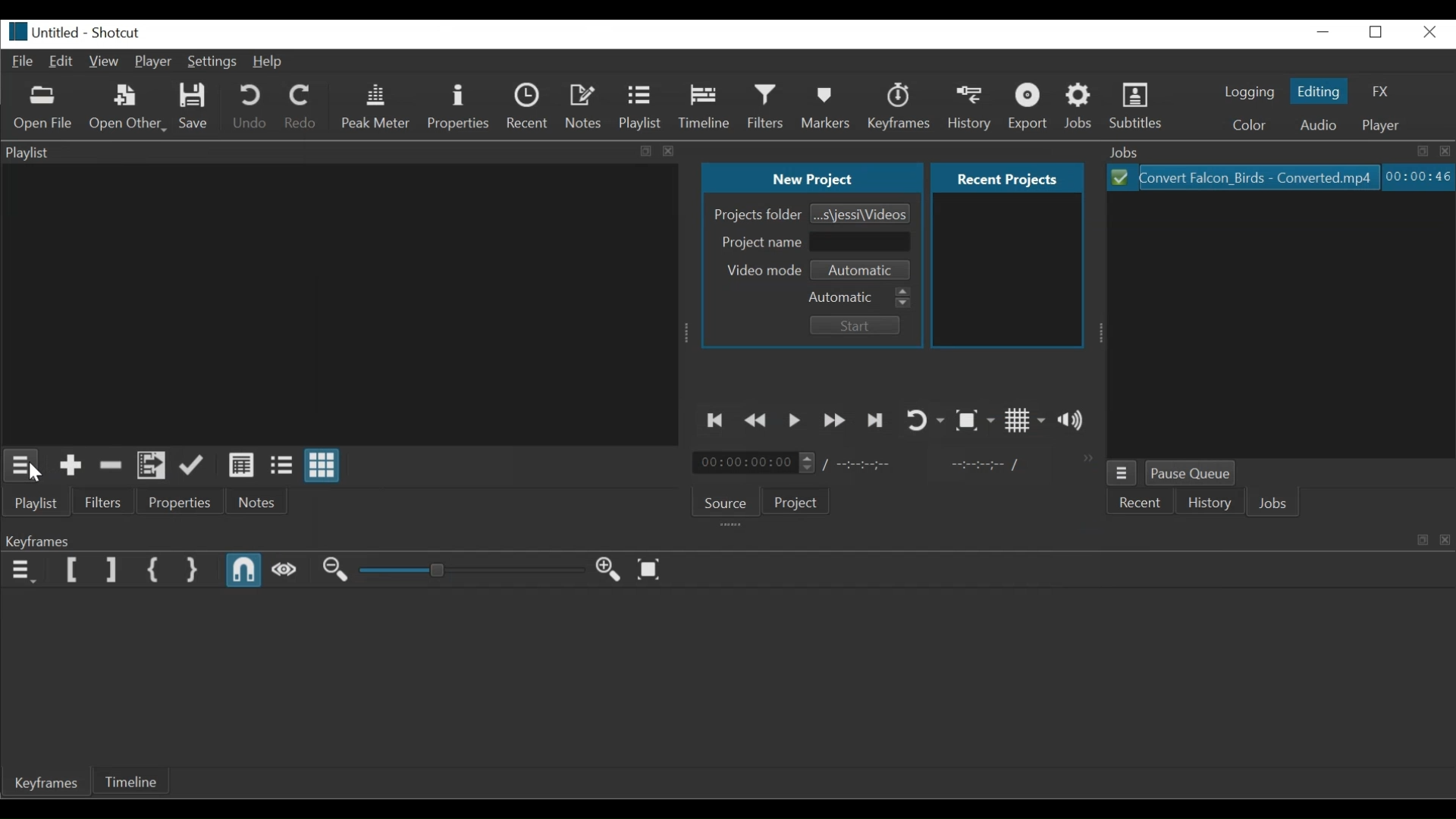 This screenshot has height=819, width=1456. What do you see at coordinates (648, 570) in the screenshot?
I see `Zoom Keyframe to fit` at bounding box center [648, 570].